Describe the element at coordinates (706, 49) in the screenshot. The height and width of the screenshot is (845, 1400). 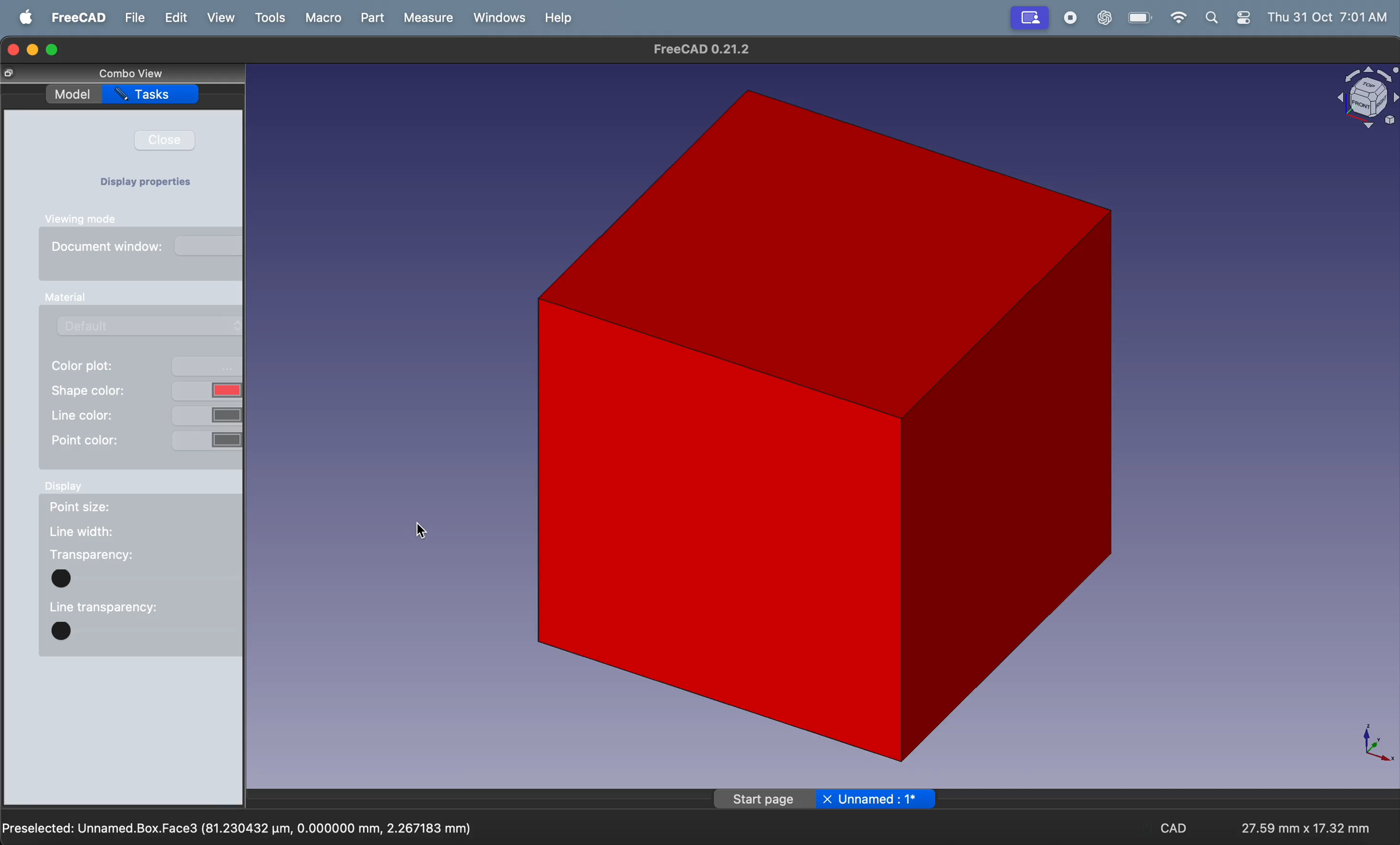
I see `free cad title` at that location.